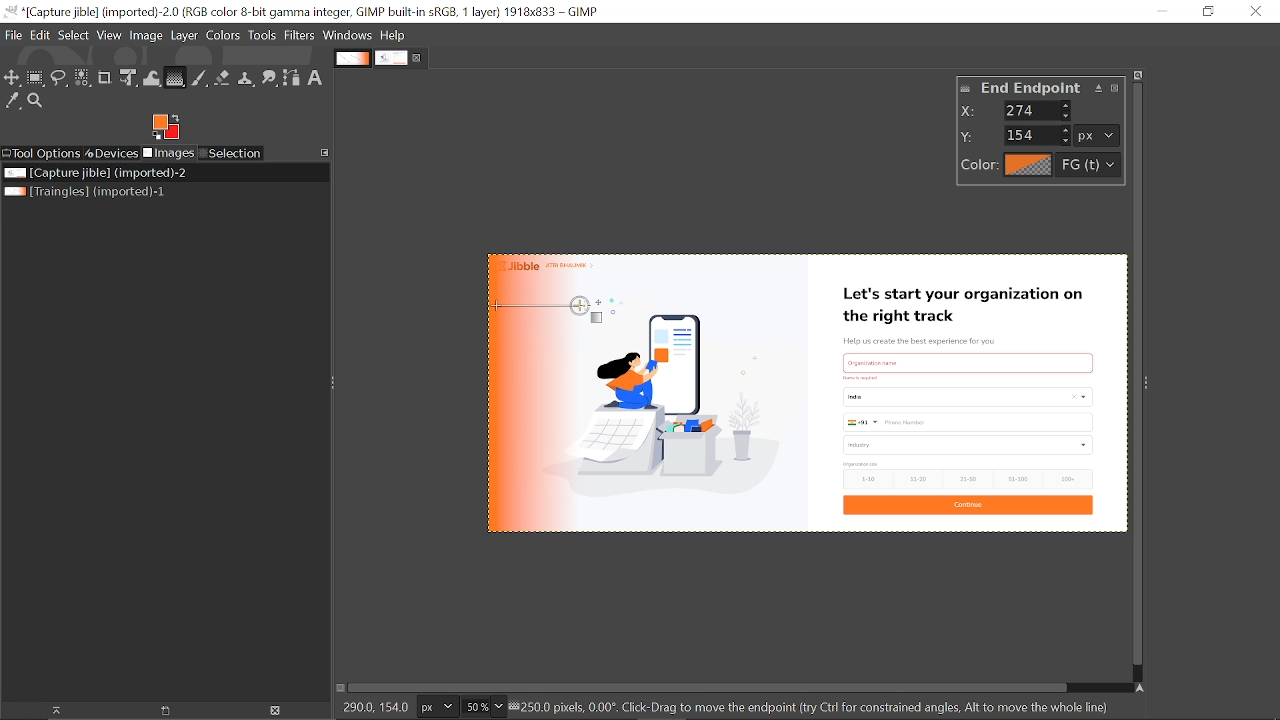 The image size is (1280, 720). Describe the element at coordinates (1039, 110) in the screenshot. I see `X values` at that location.